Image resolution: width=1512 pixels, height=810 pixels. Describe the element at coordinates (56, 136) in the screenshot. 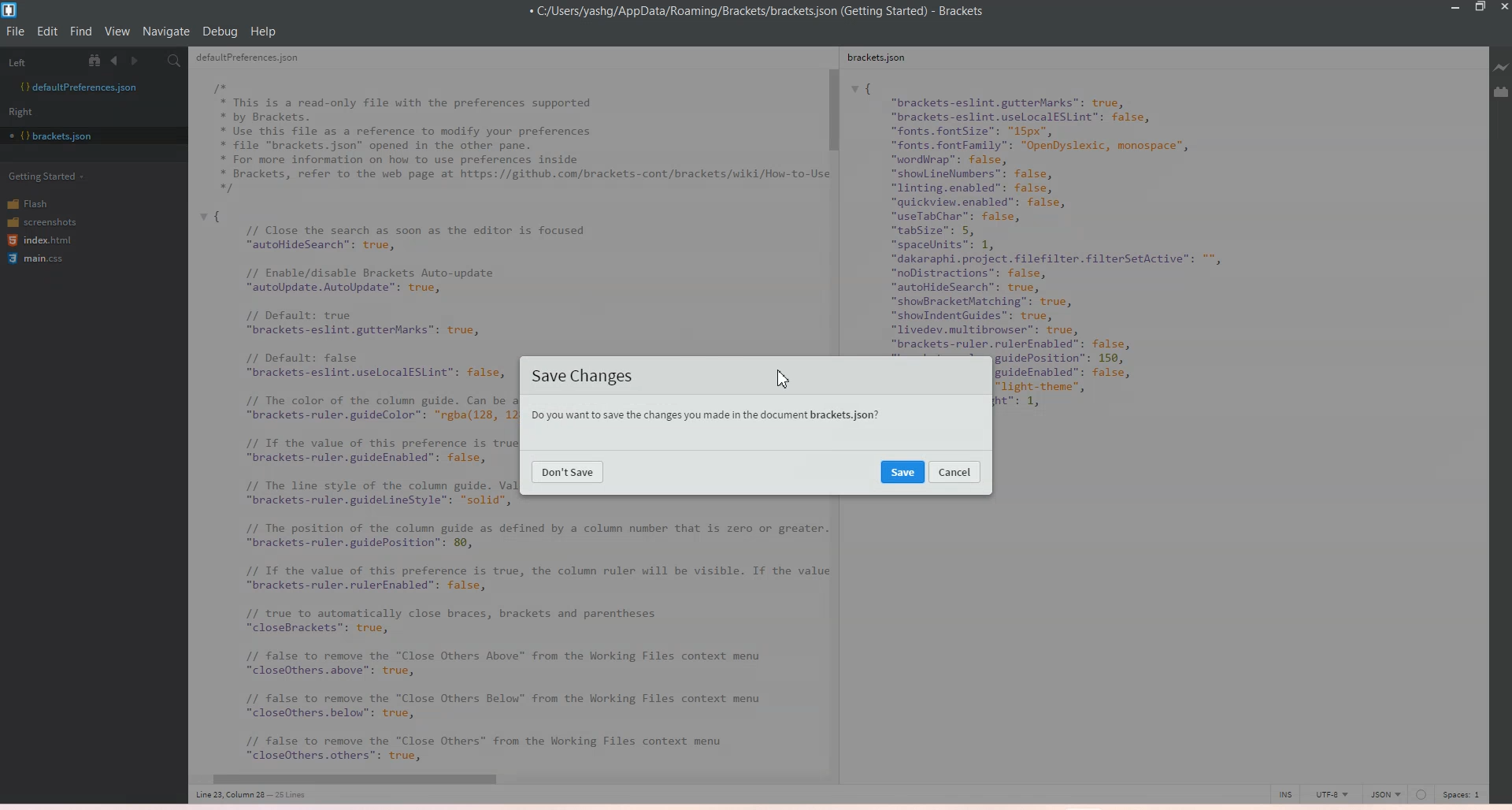

I see `Bracket.json` at that location.